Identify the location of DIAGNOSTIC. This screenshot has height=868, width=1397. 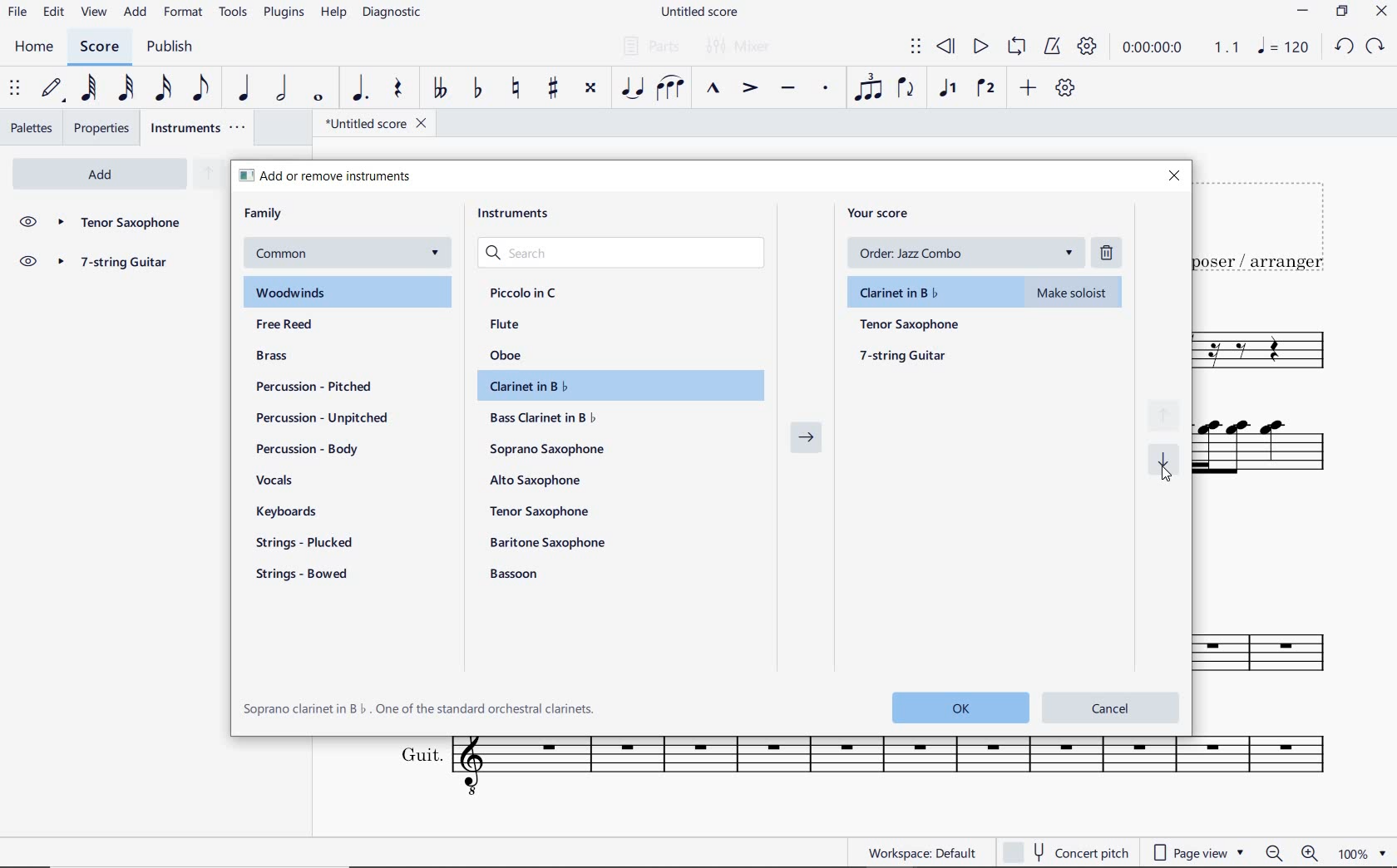
(392, 12).